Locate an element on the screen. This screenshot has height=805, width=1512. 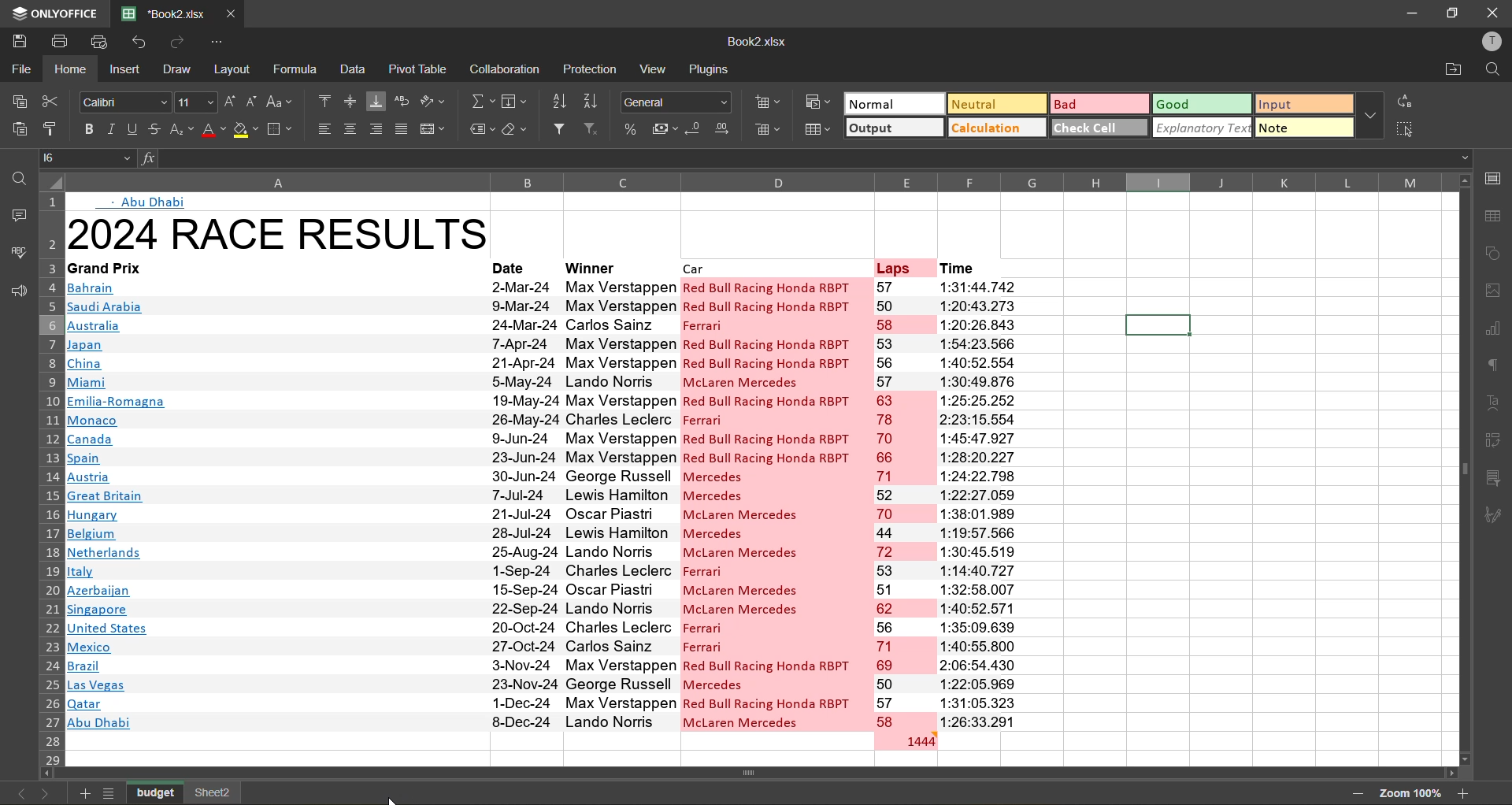
customize quick access toolbar is located at coordinates (219, 43).